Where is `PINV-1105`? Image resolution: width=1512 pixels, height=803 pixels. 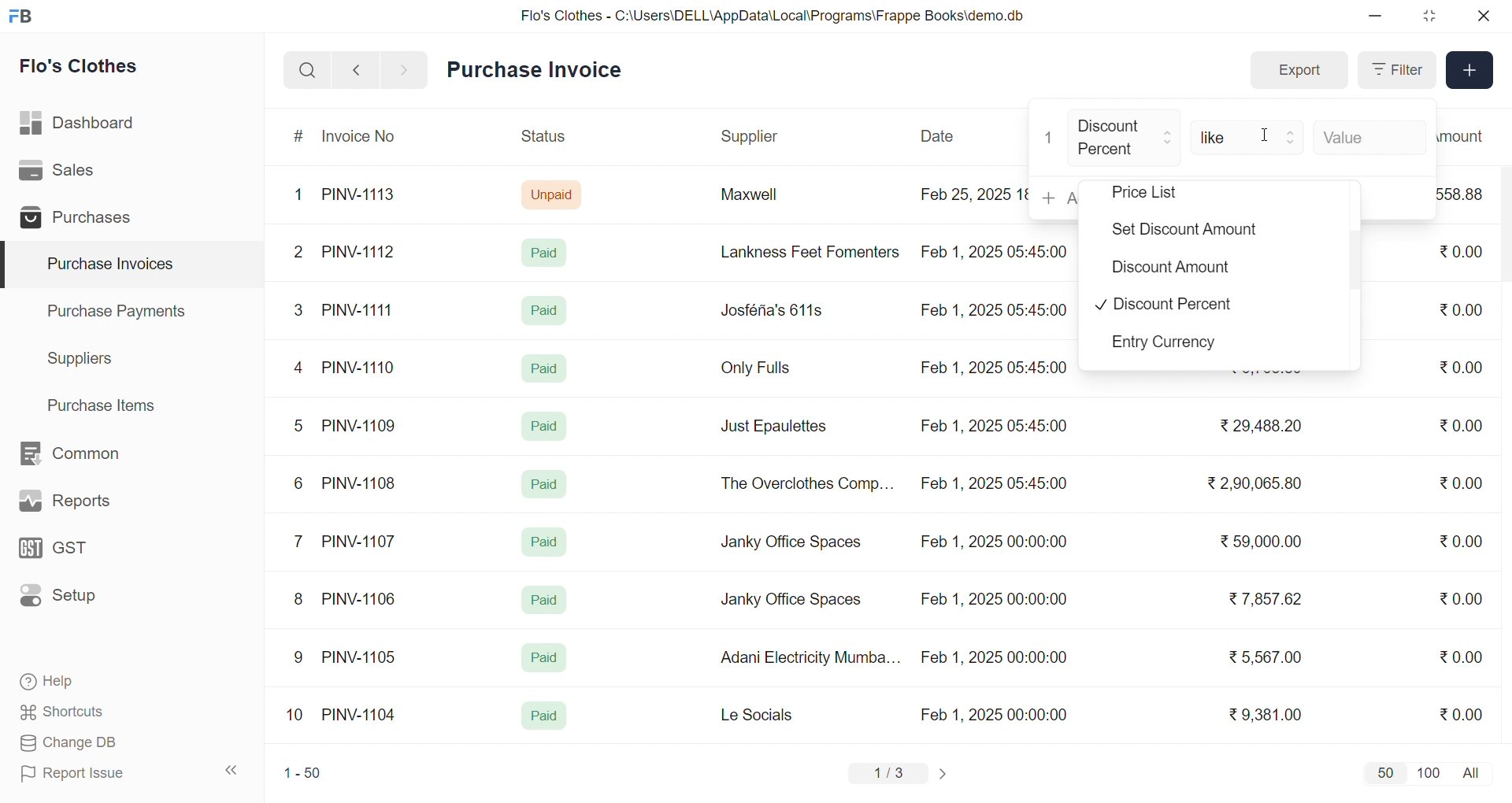 PINV-1105 is located at coordinates (362, 657).